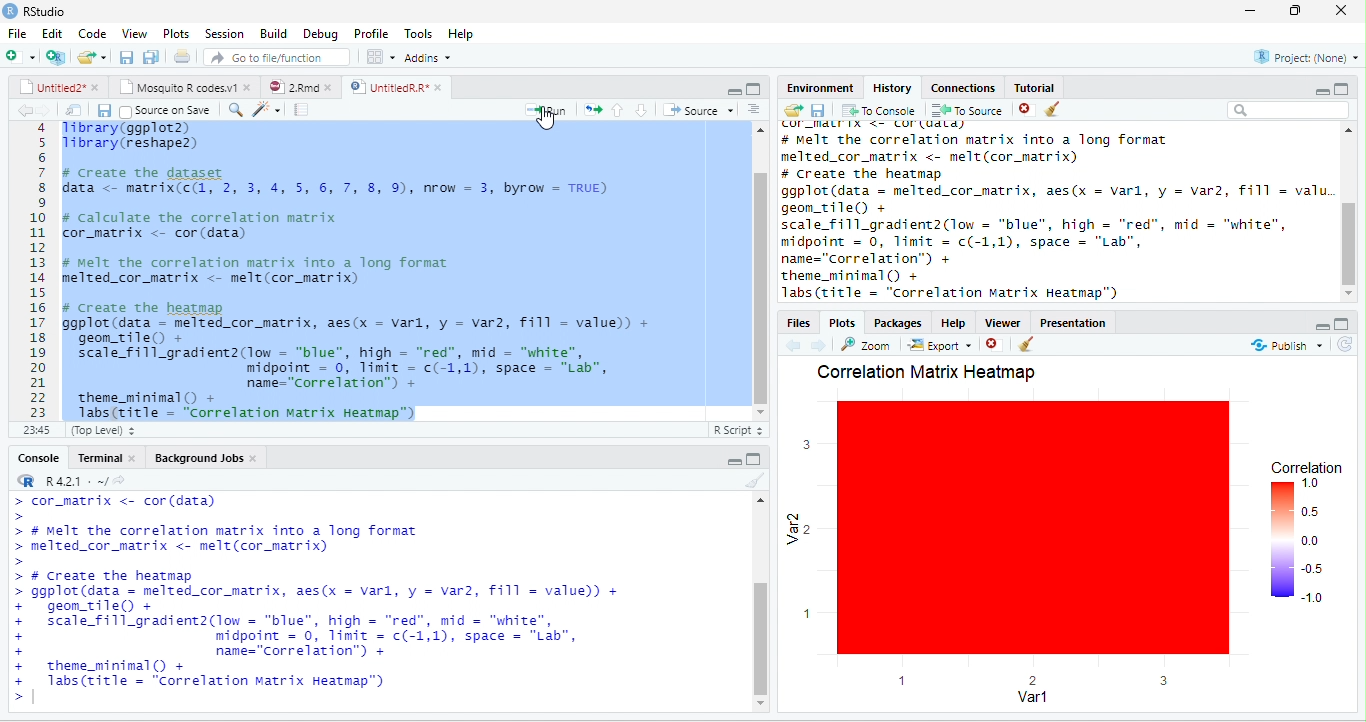 This screenshot has width=1366, height=722. What do you see at coordinates (1307, 537) in the screenshot?
I see `correlation` at bounding box center [1307, 537].